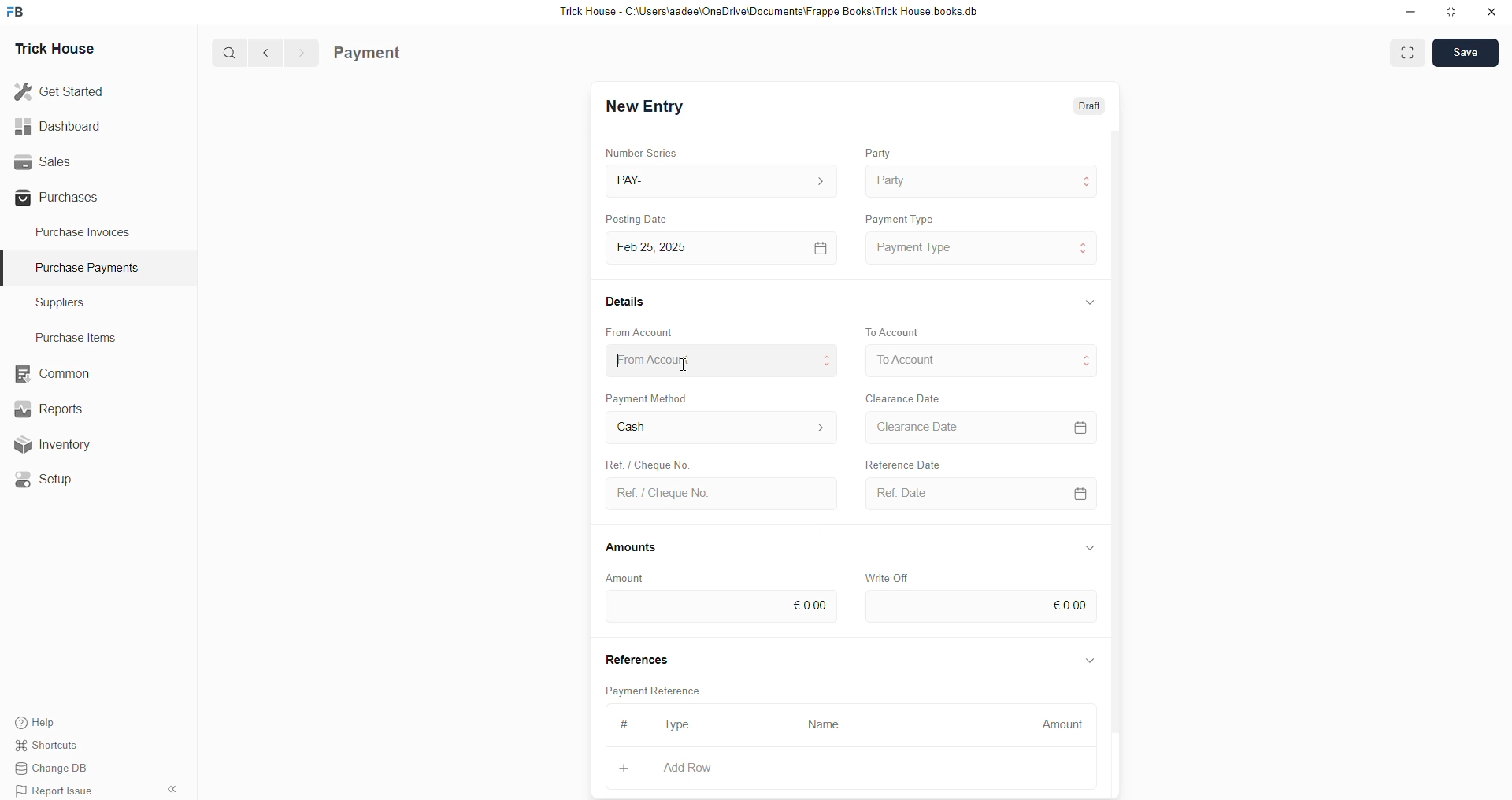  I want to click on <, so click(262, 52).